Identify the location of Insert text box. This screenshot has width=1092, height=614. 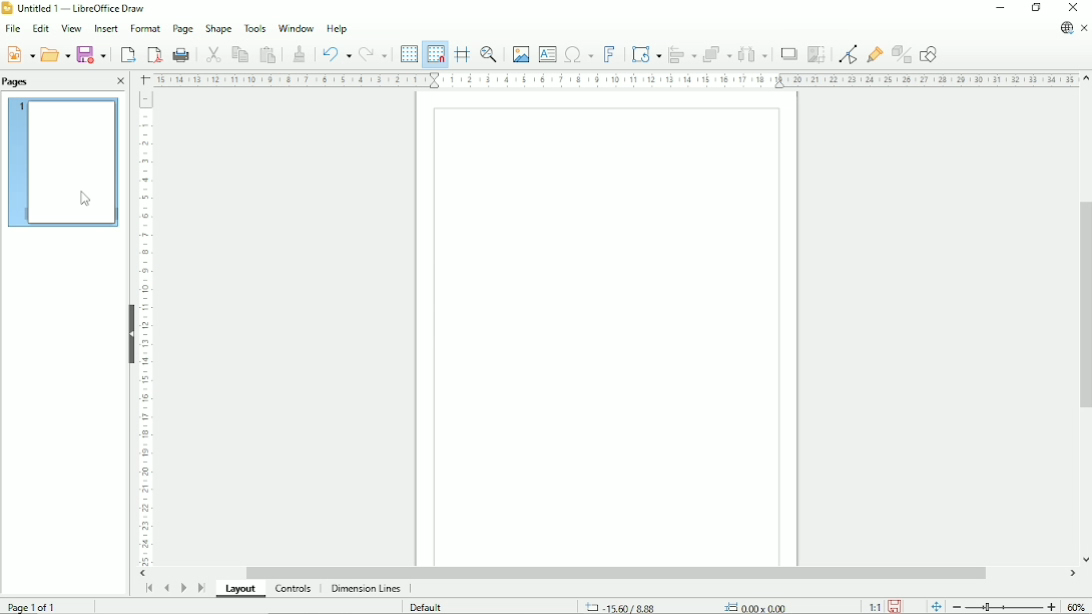
(547, 53).